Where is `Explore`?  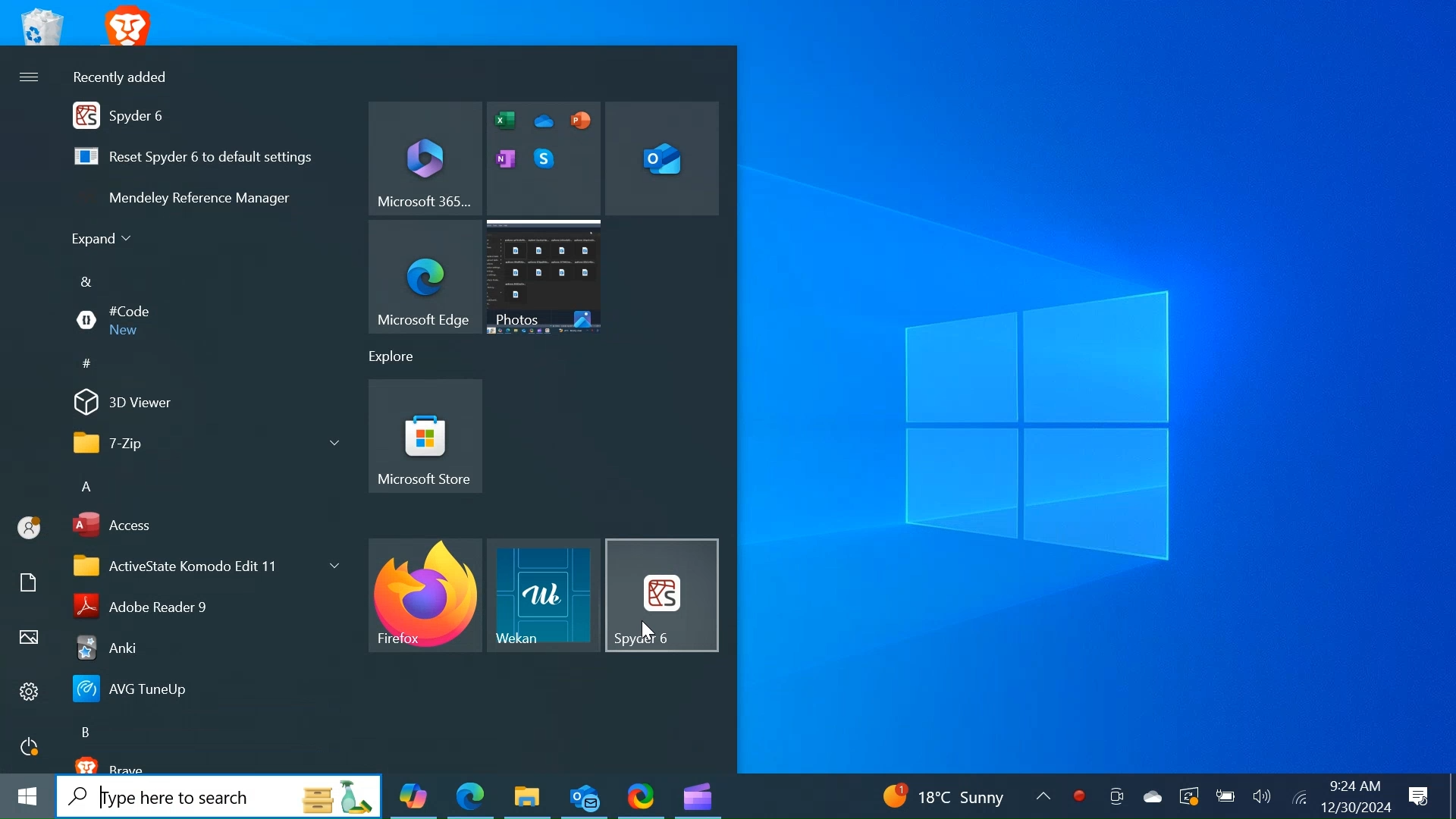 Explore is located at coordinates (399, 357).